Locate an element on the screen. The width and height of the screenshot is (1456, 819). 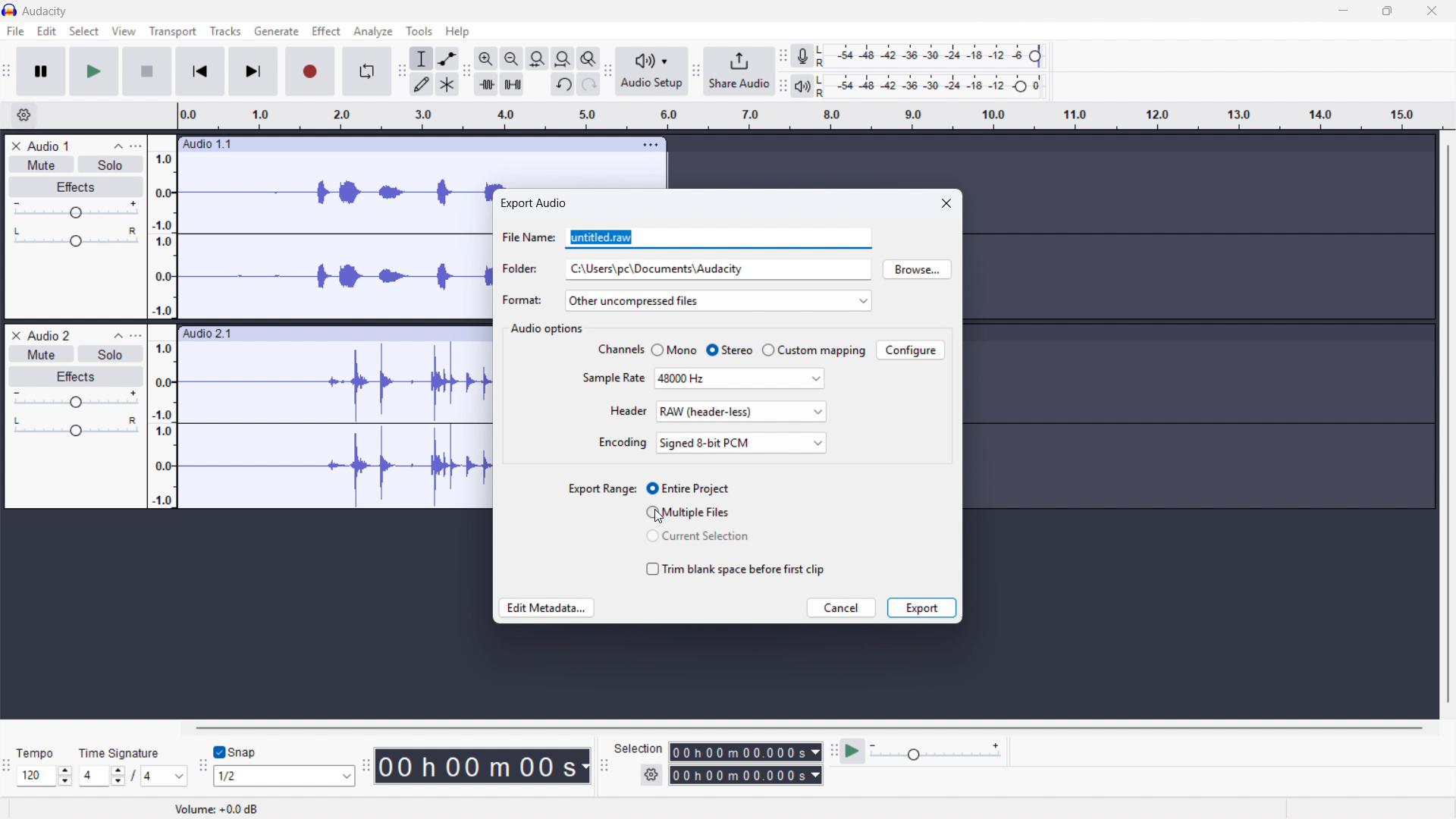
channels is located at coordinates (619, 350).